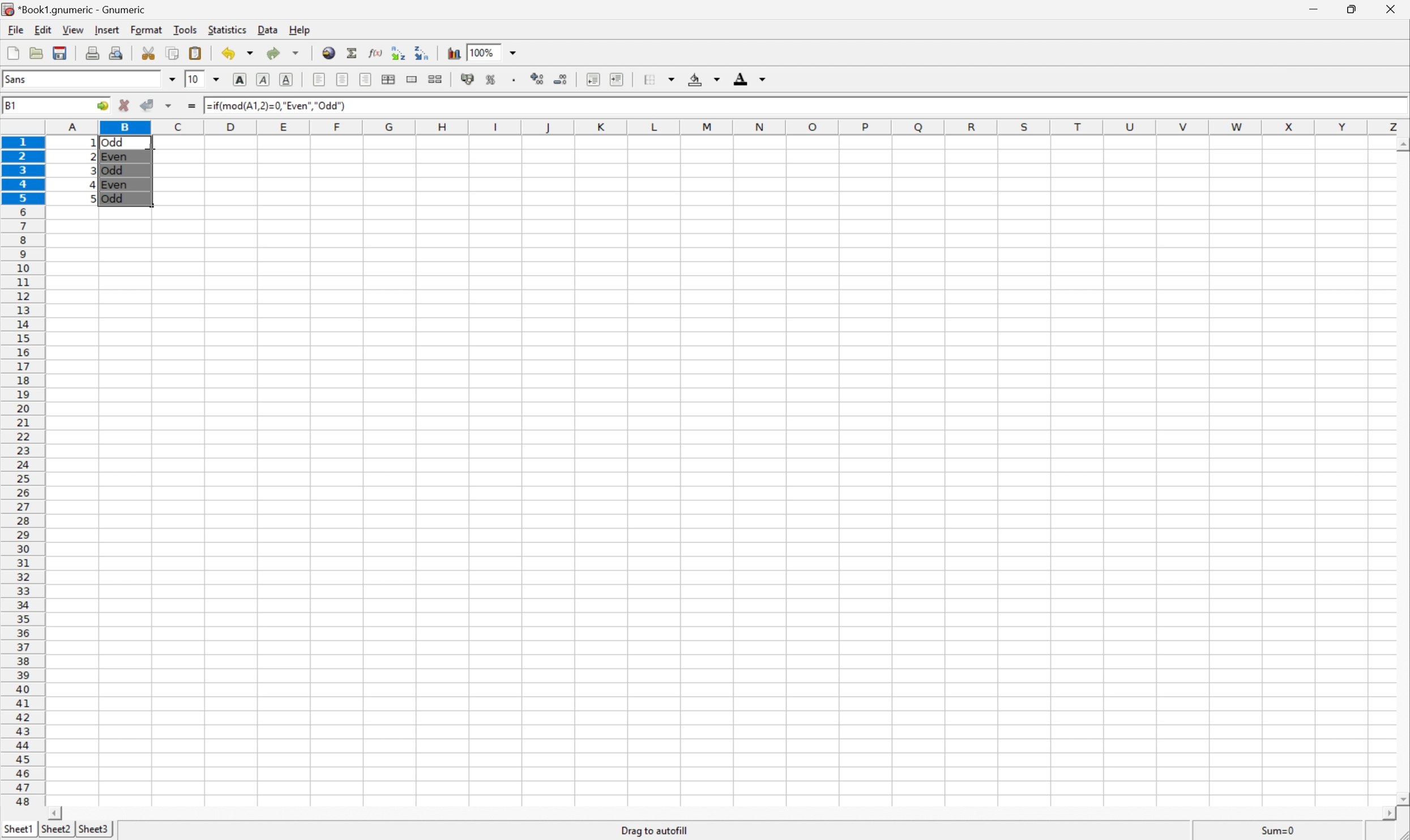 The width and height of the screenshot is (1410, 840). I want to click on *Book1.gnumeric - Gnumeric, so click(78, 10).